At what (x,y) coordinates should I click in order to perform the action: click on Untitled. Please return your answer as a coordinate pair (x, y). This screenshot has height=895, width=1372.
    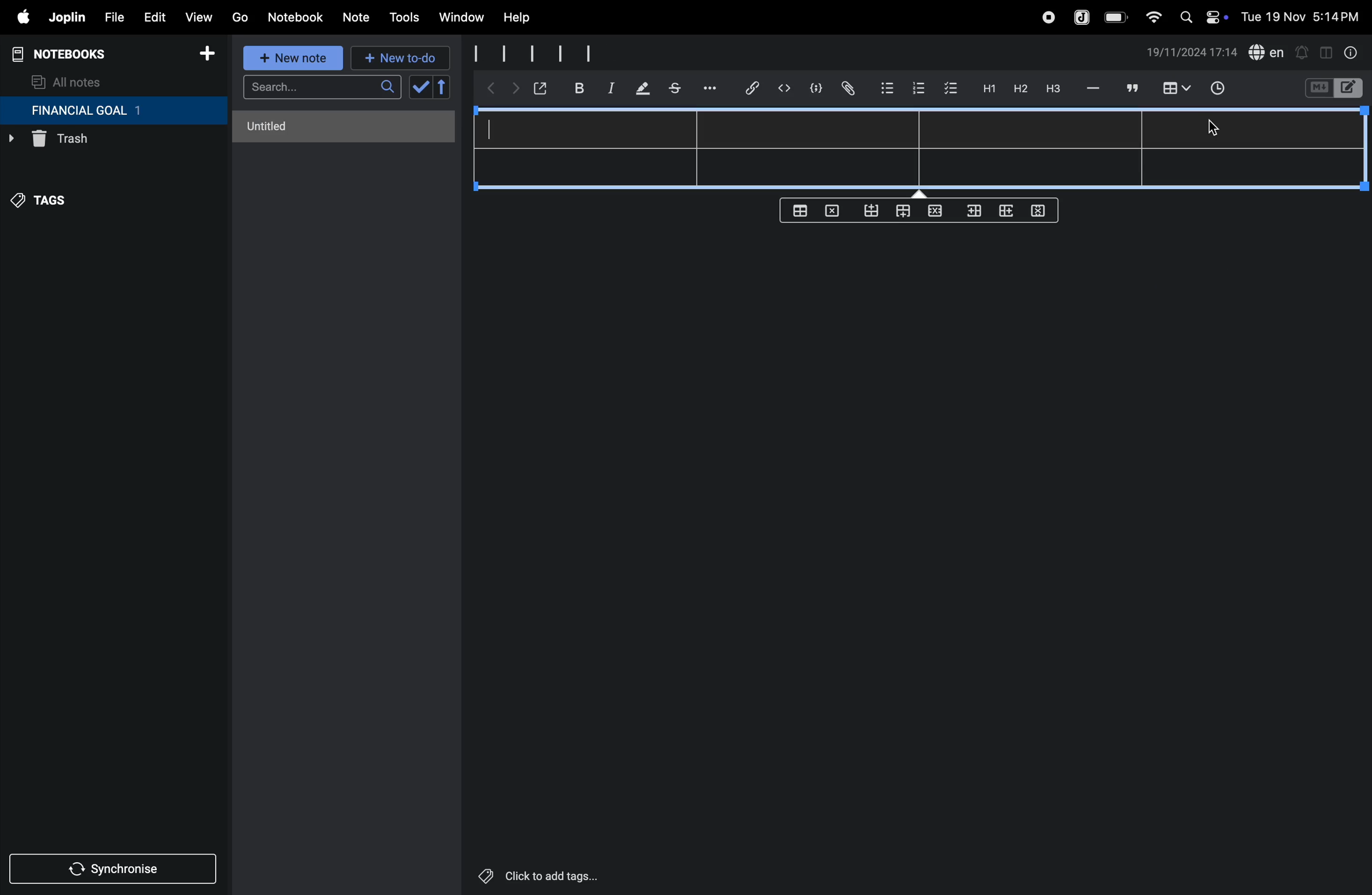
    Looking at the image, I should click on (345, 126).